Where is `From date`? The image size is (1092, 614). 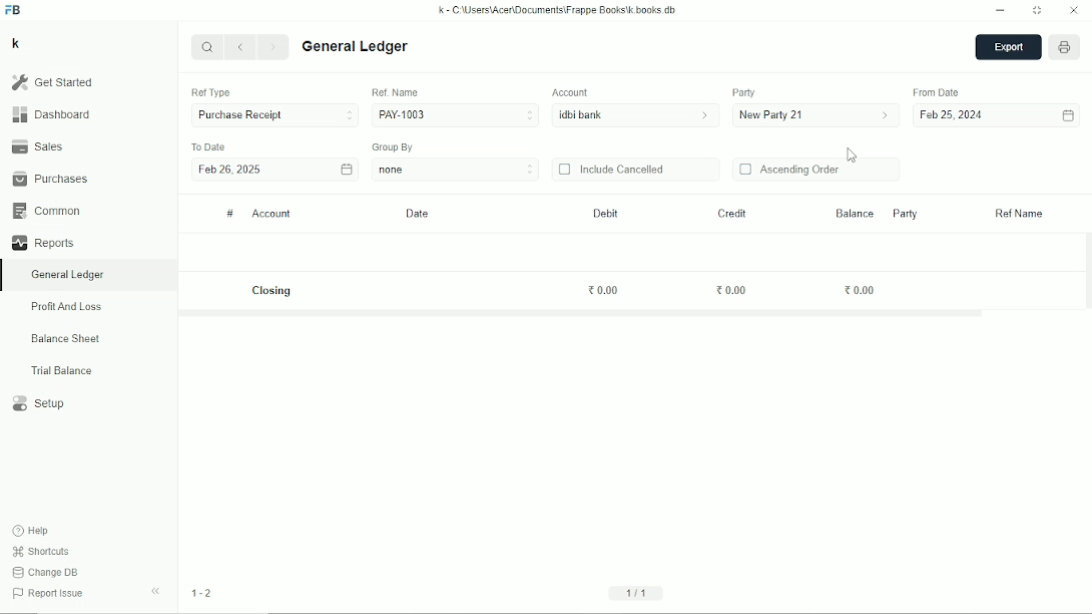
From date is located at coordinates (938, 92).